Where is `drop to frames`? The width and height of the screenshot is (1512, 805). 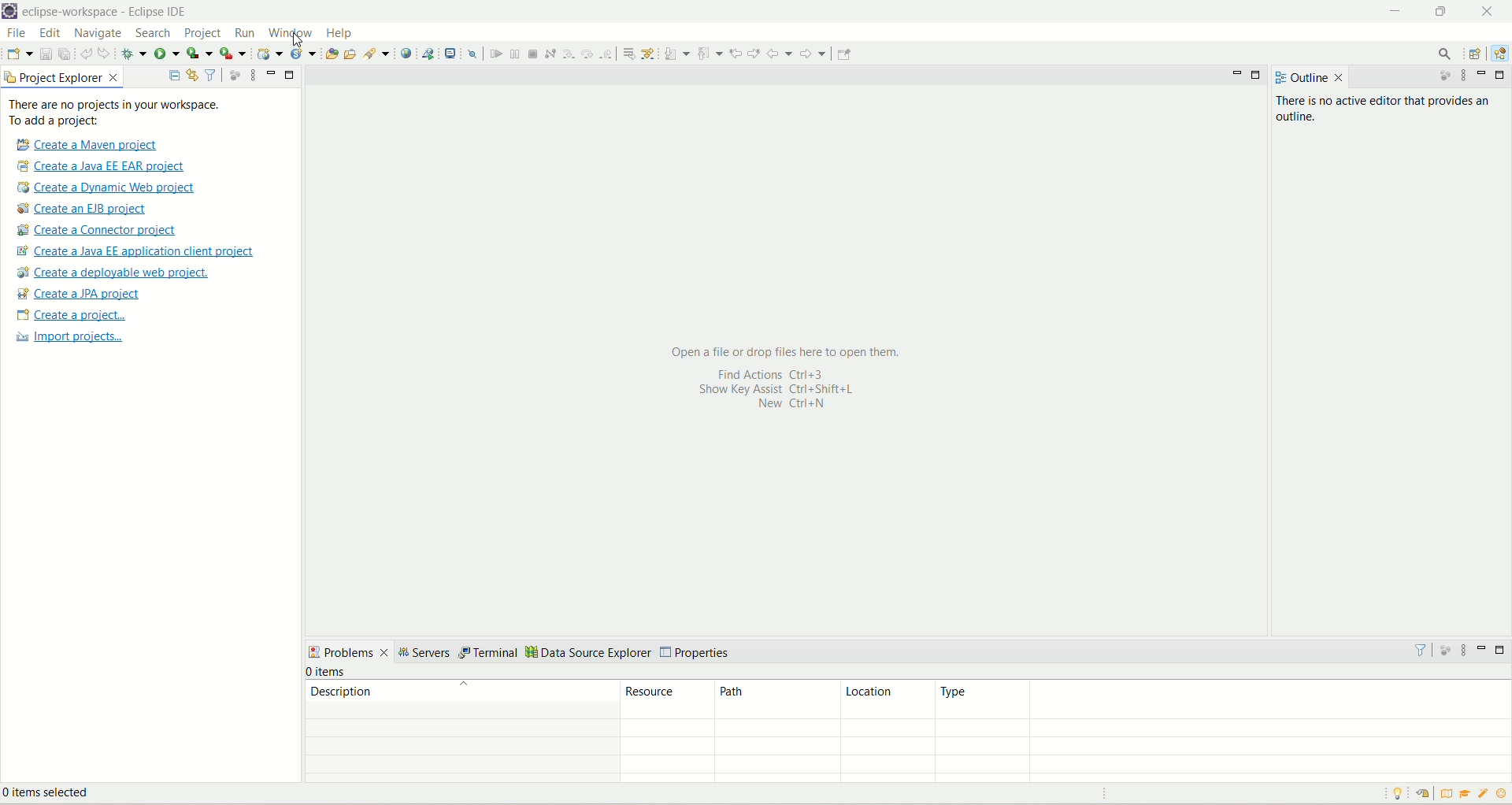 drop to frames is located at coordinates (626, 53).